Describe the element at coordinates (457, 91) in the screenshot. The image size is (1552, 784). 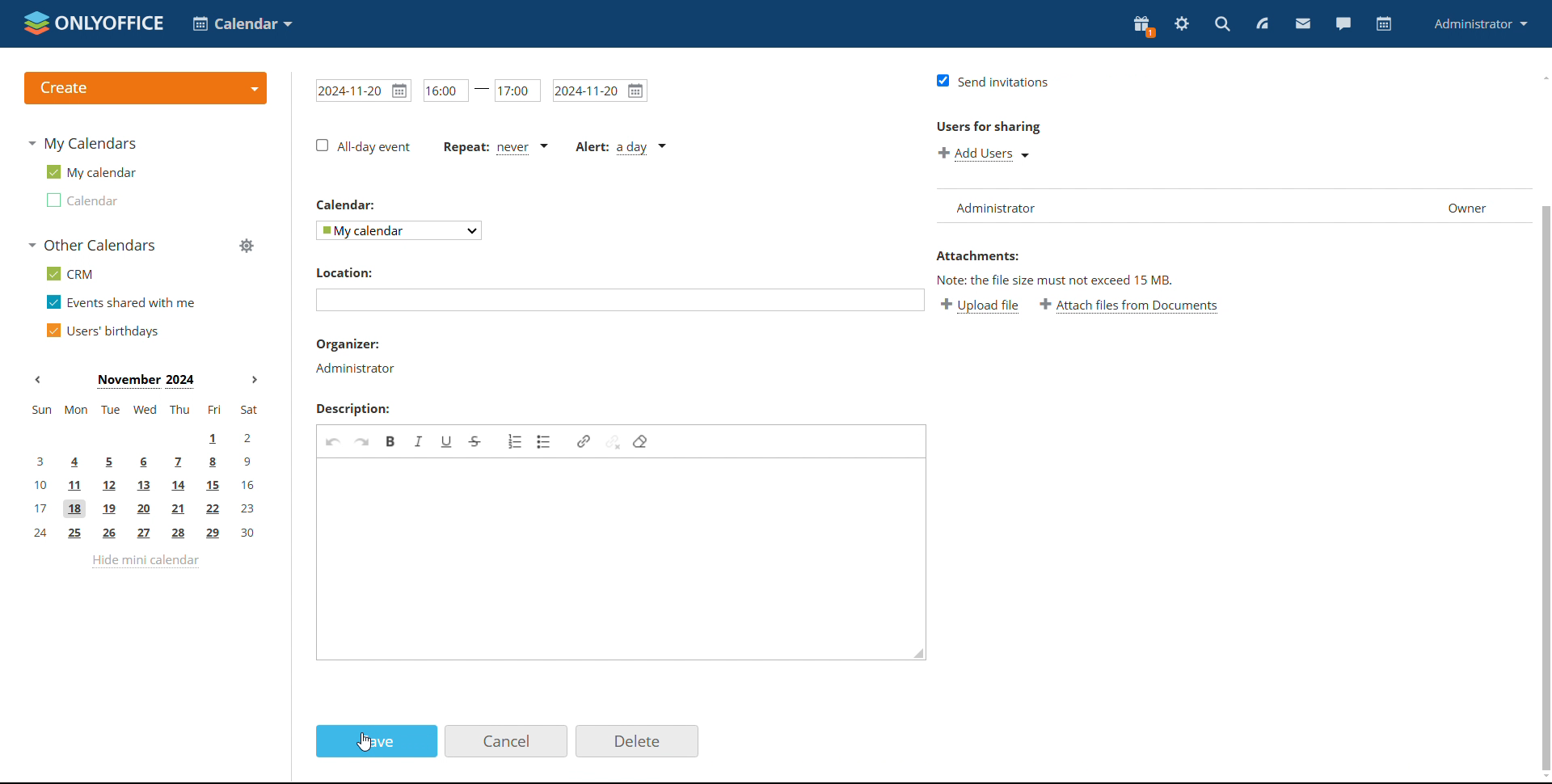
I see `start time ` at that location.